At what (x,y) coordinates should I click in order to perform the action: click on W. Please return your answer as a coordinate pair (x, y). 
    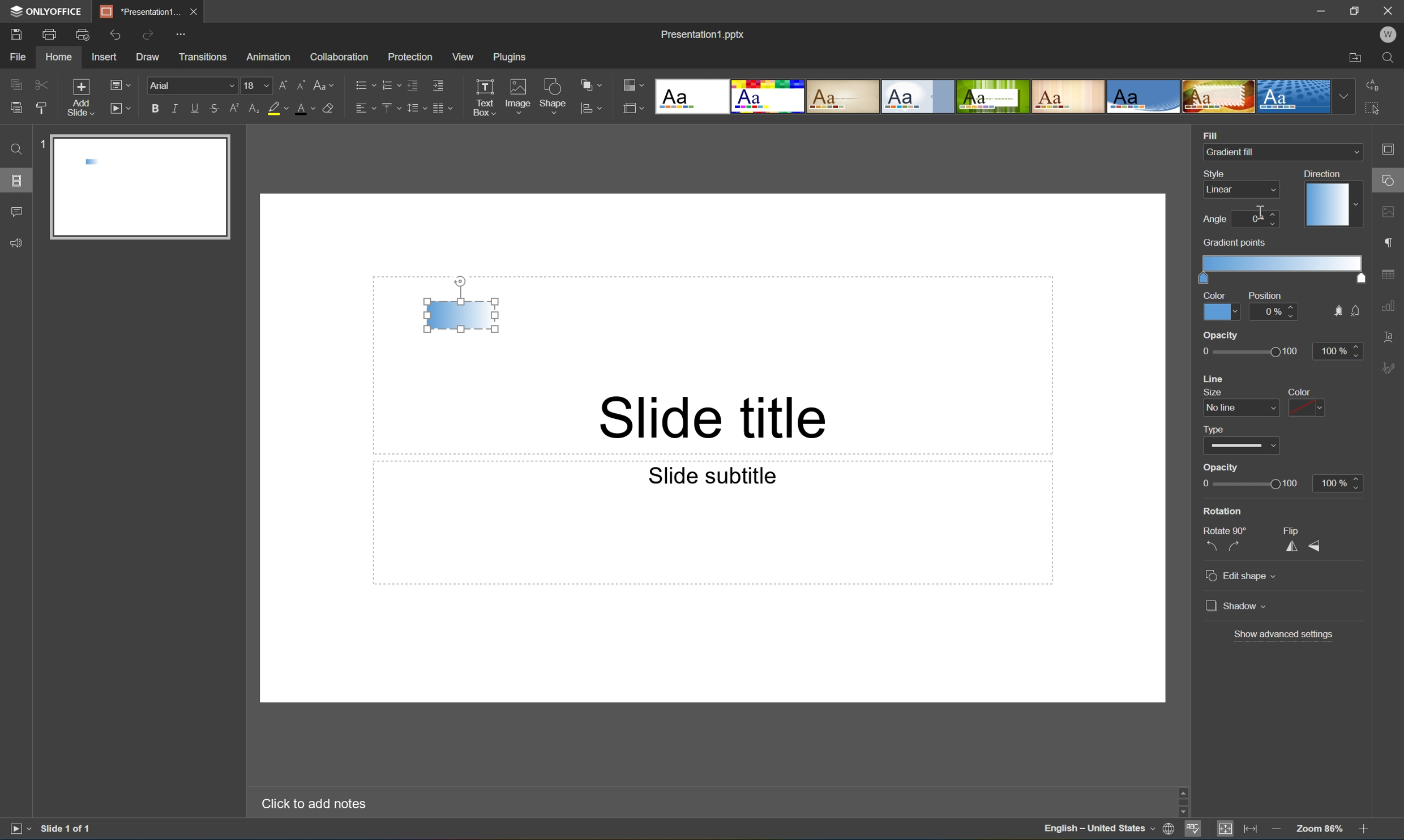
    Looking at the image, I should click on (1390, 35).